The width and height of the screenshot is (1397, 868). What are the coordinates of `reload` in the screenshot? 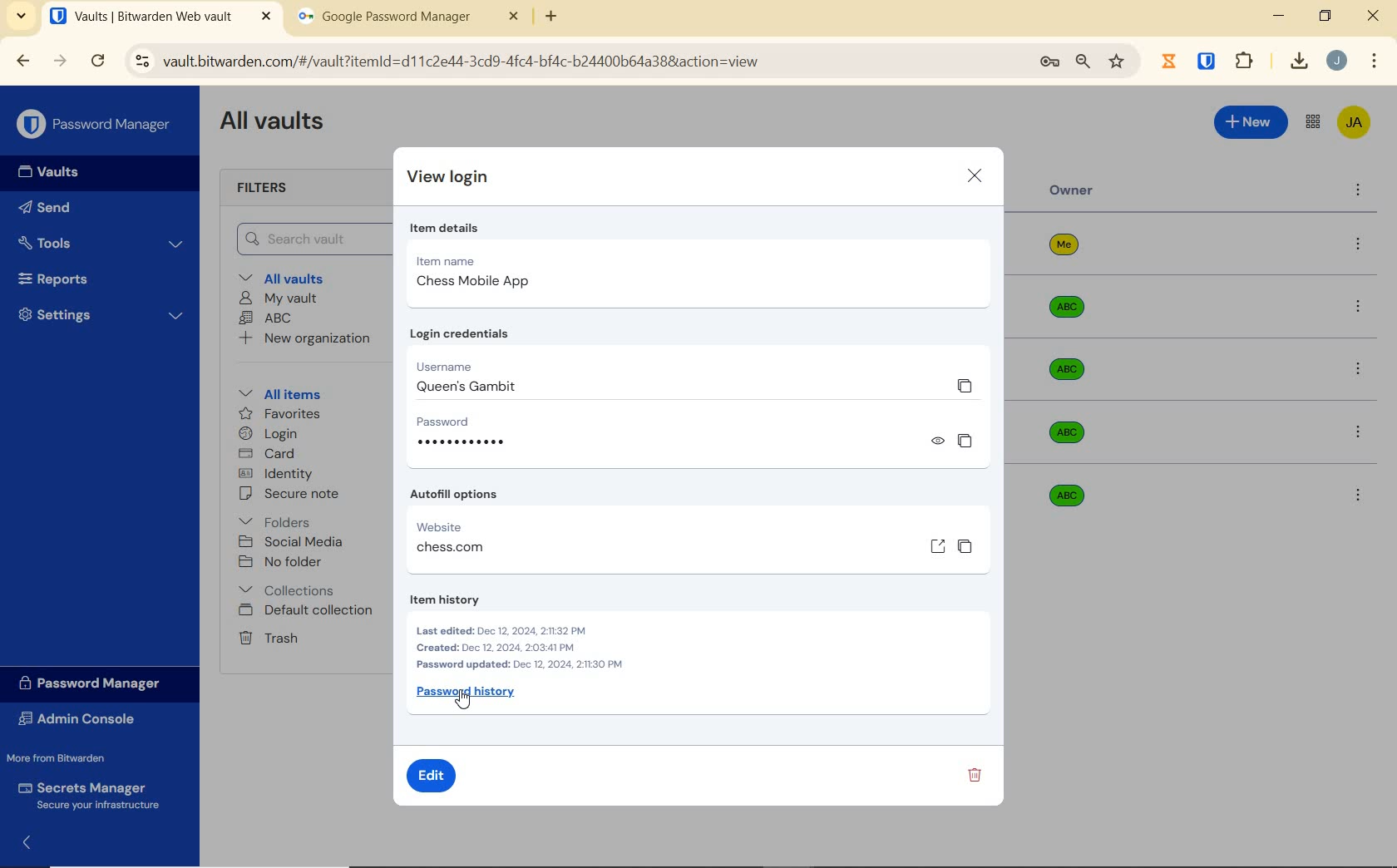 It's located at (99, 62).